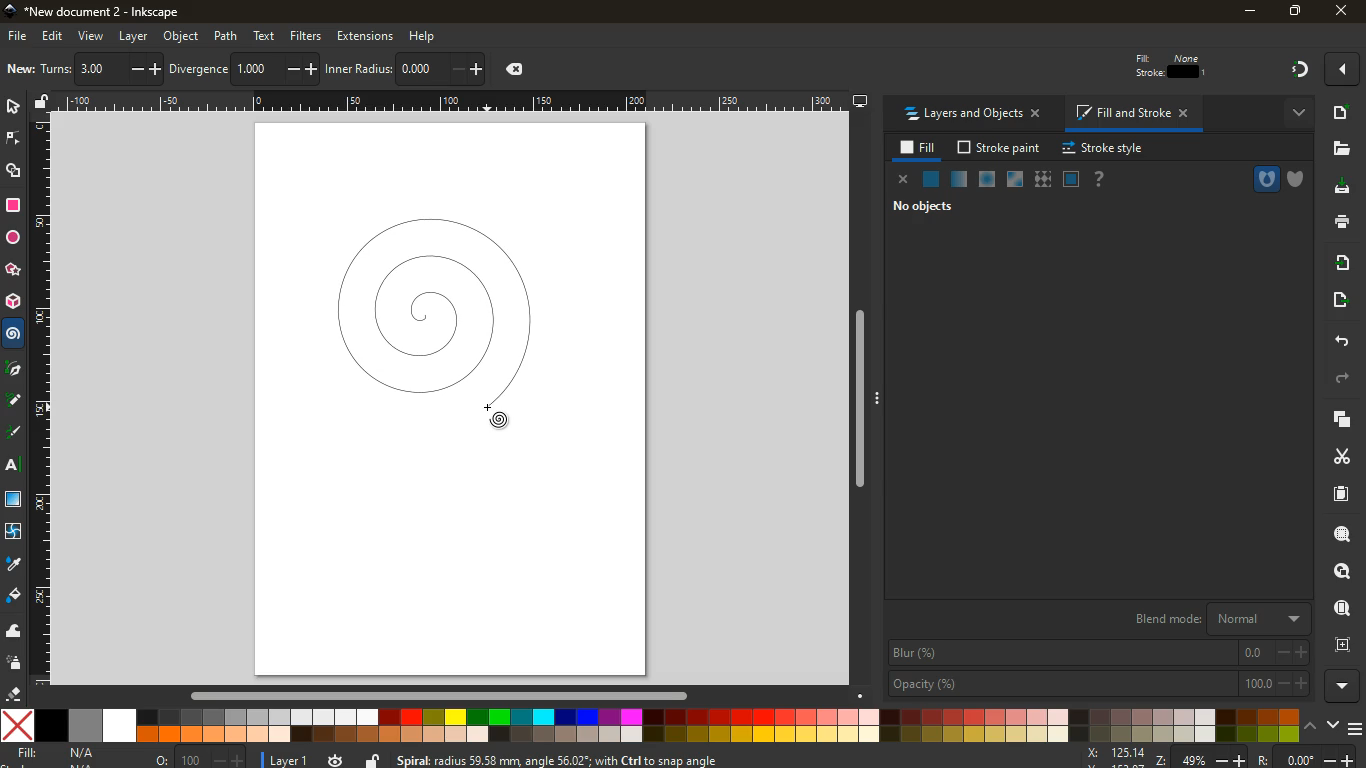  Describe the element at coordinates (1347, 379) in the screenshot. I see `forward` at that location.